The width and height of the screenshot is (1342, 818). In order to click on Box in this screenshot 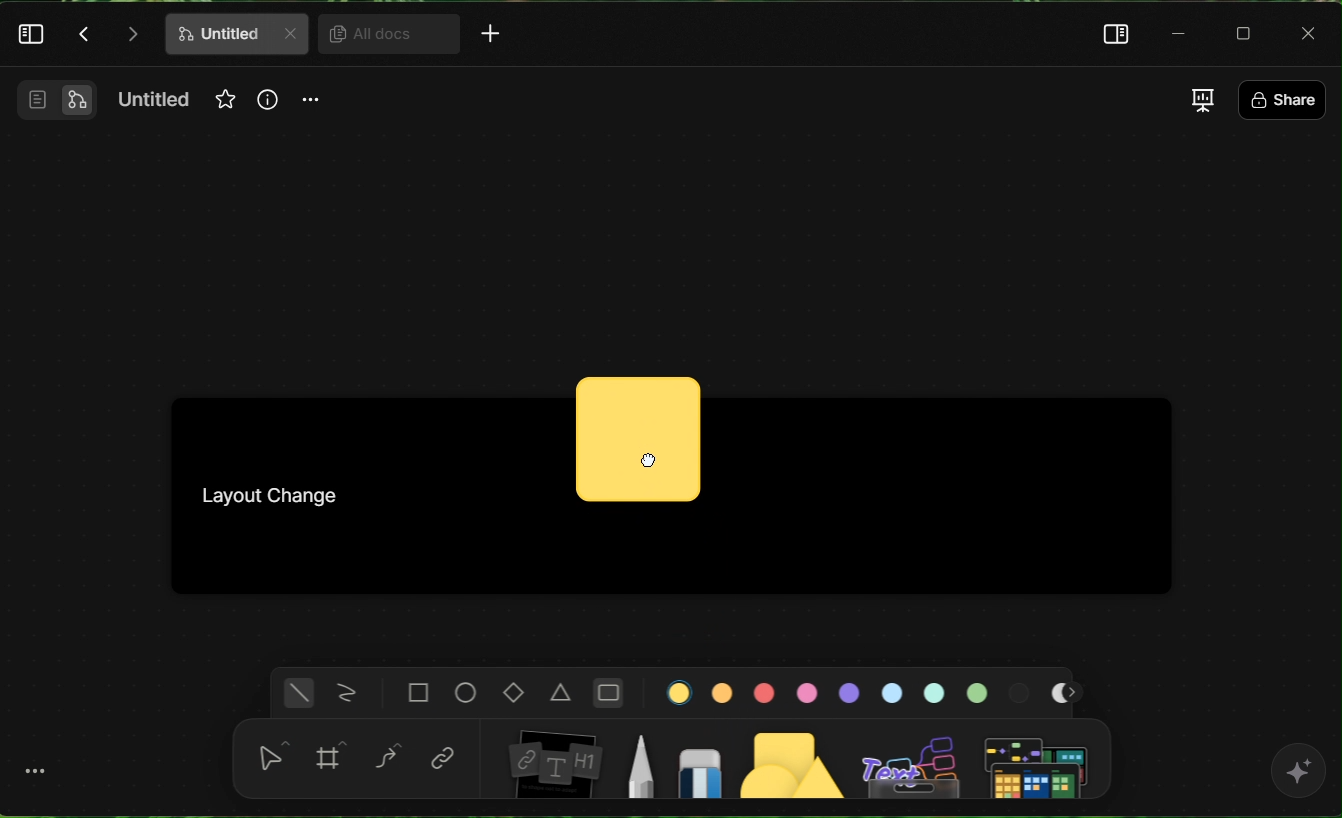, I will do `click(1249, 33)`.